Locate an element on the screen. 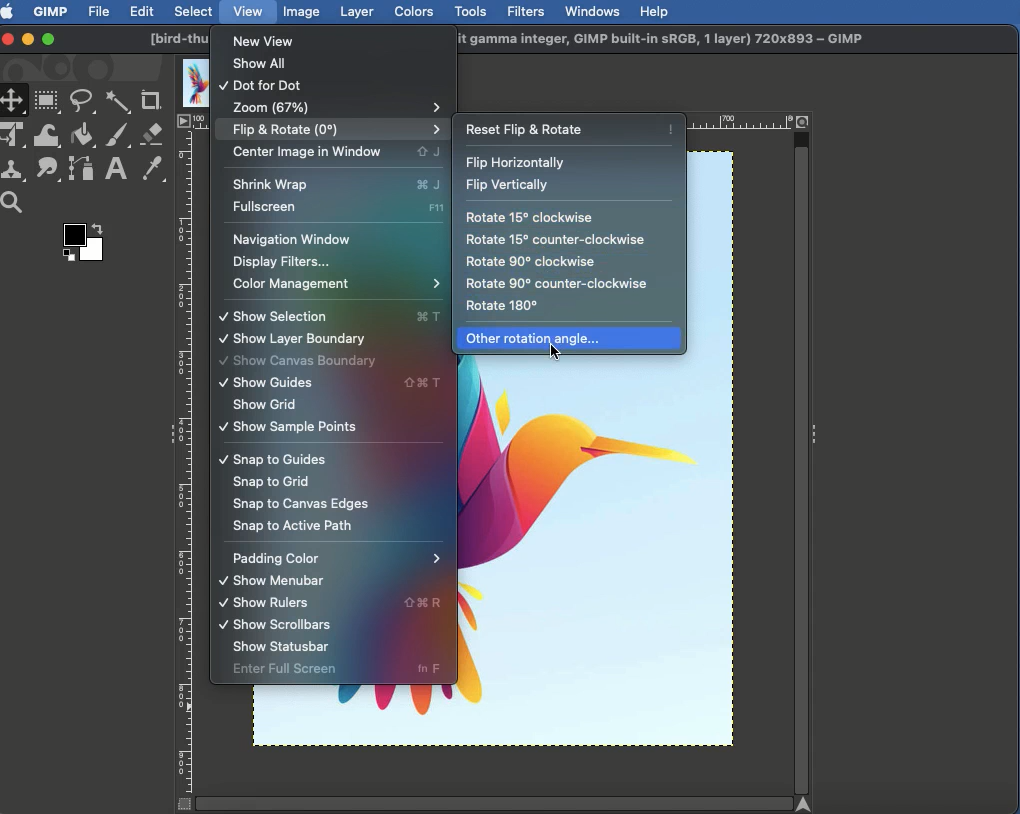 The image size is (1020, 814). Navigate the image display is located at coordinates (807, 805).